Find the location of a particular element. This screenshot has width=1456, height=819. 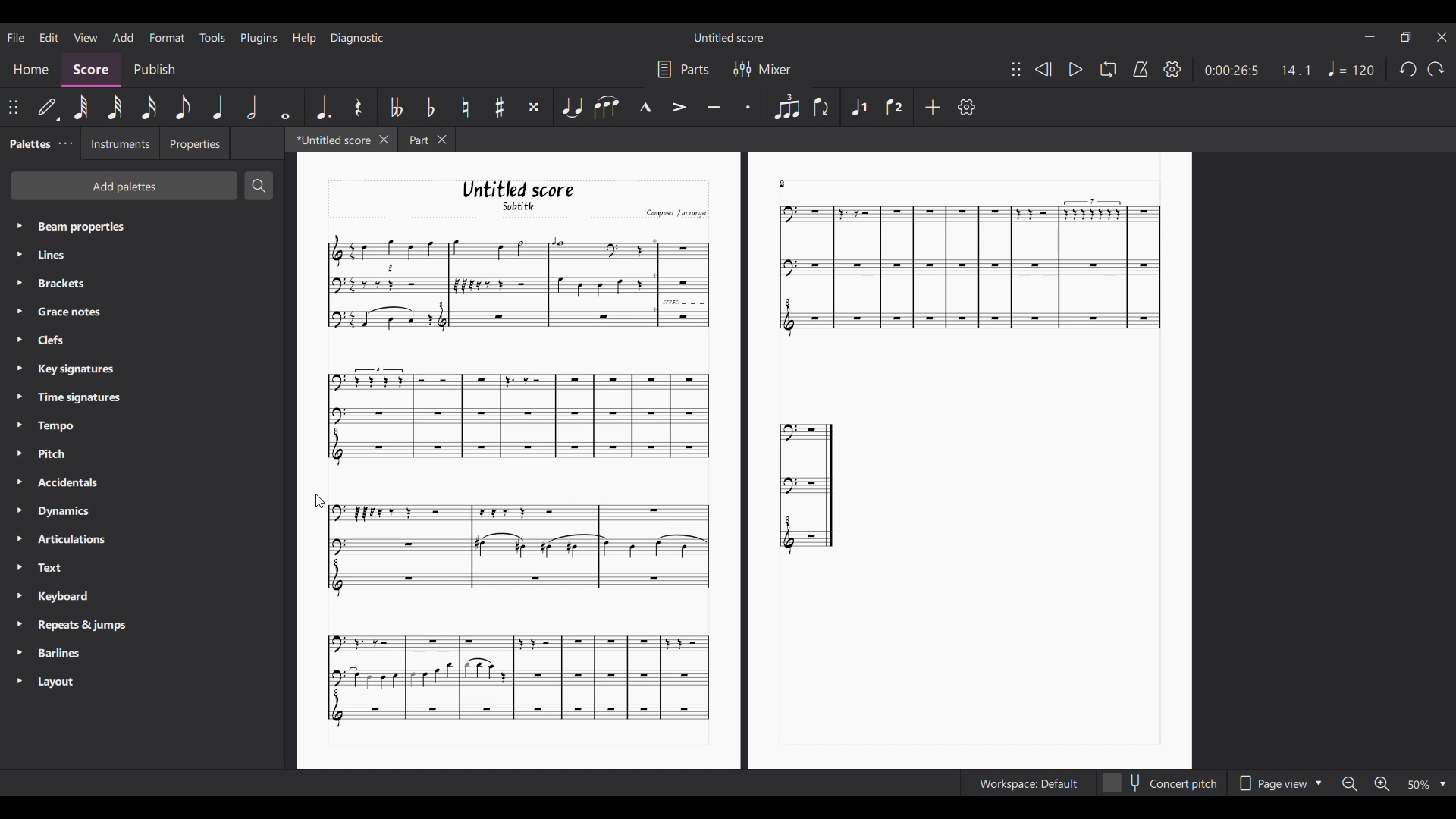

Voice 1 is located at coordinates (858, 107).